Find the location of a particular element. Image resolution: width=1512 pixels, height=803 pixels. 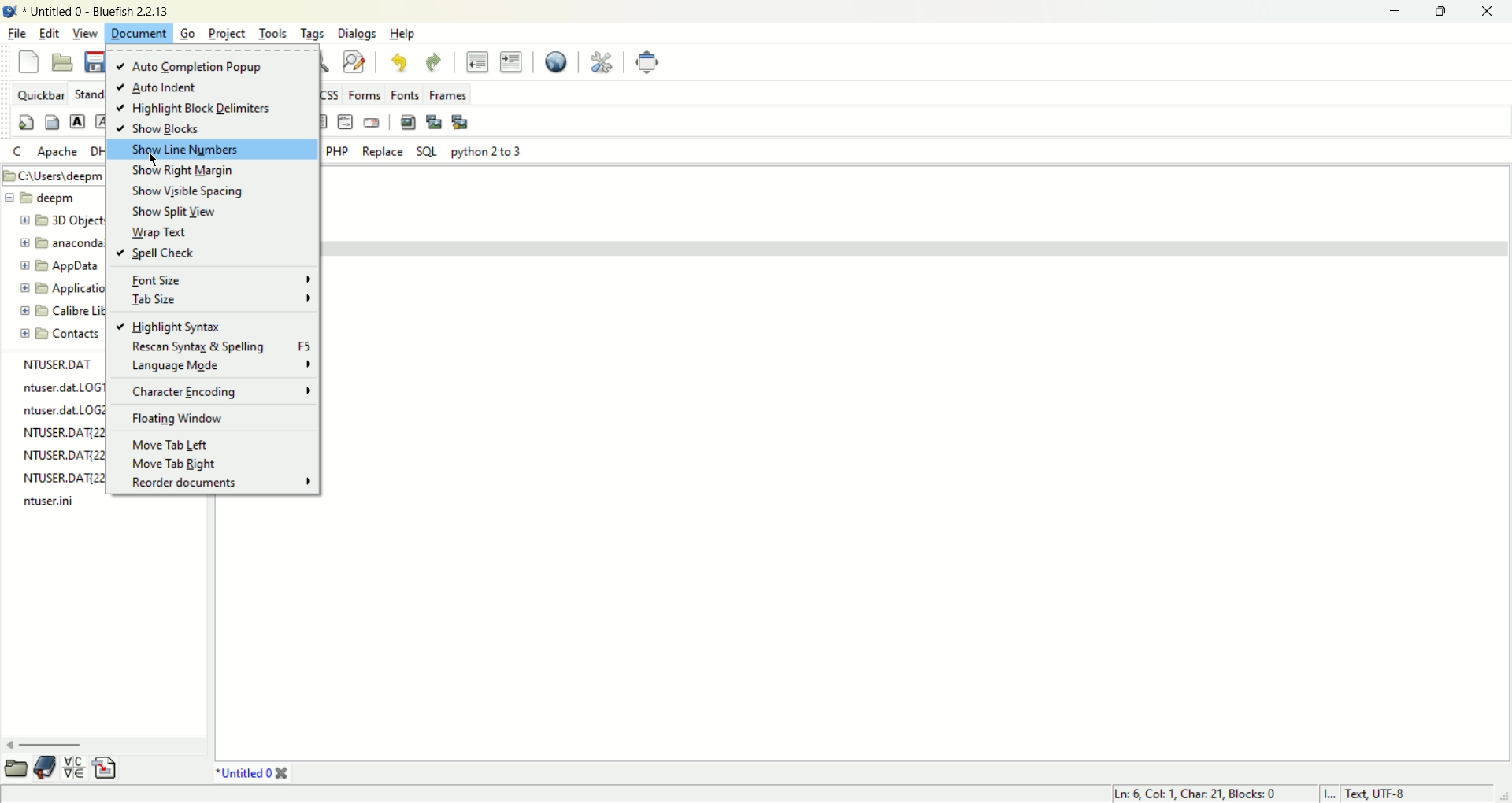

apache is located at coordinates (61, 152).